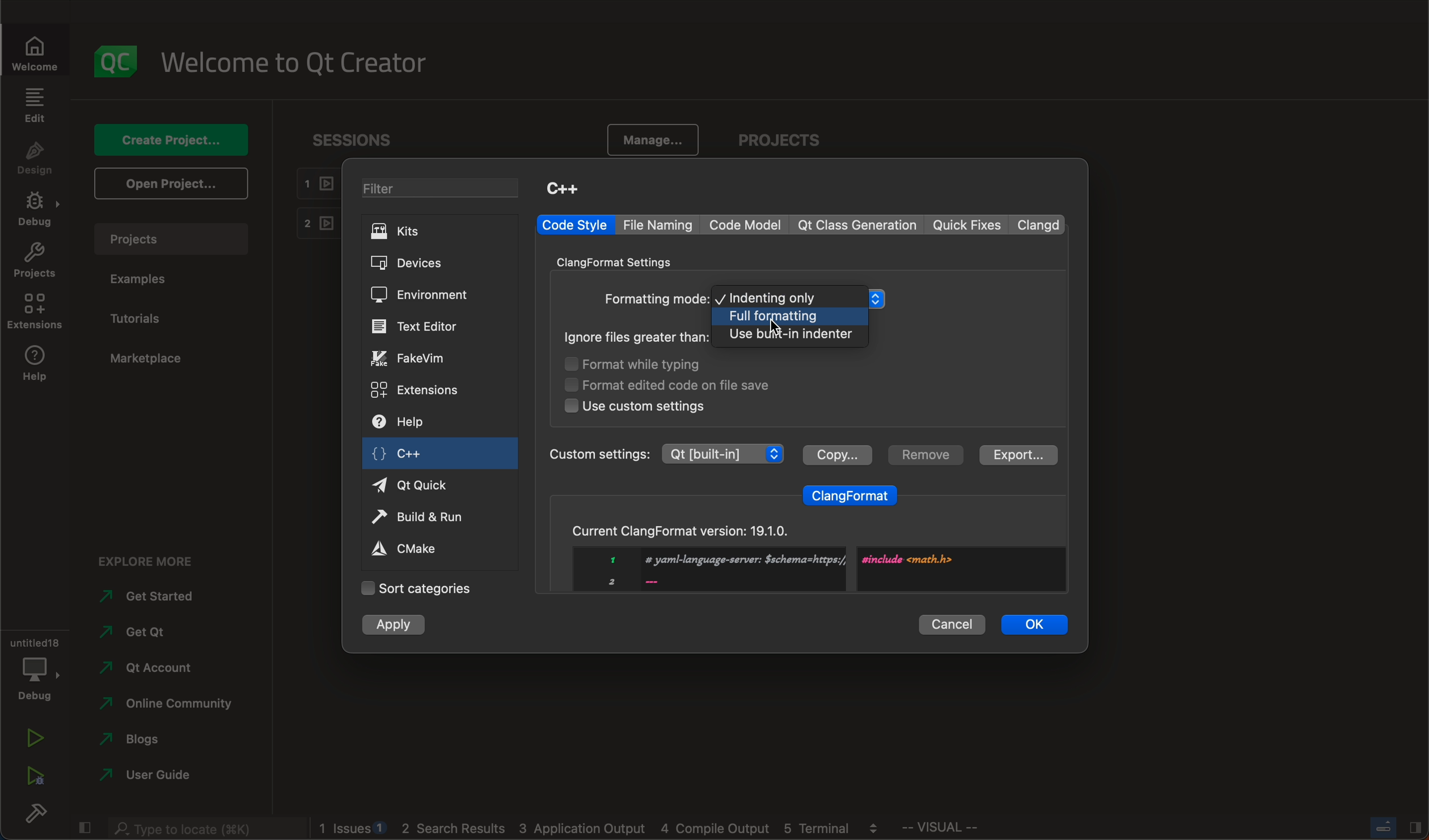  Describe the element at coordinates (562, 188) in the screenshot. I see `C++` at that location.